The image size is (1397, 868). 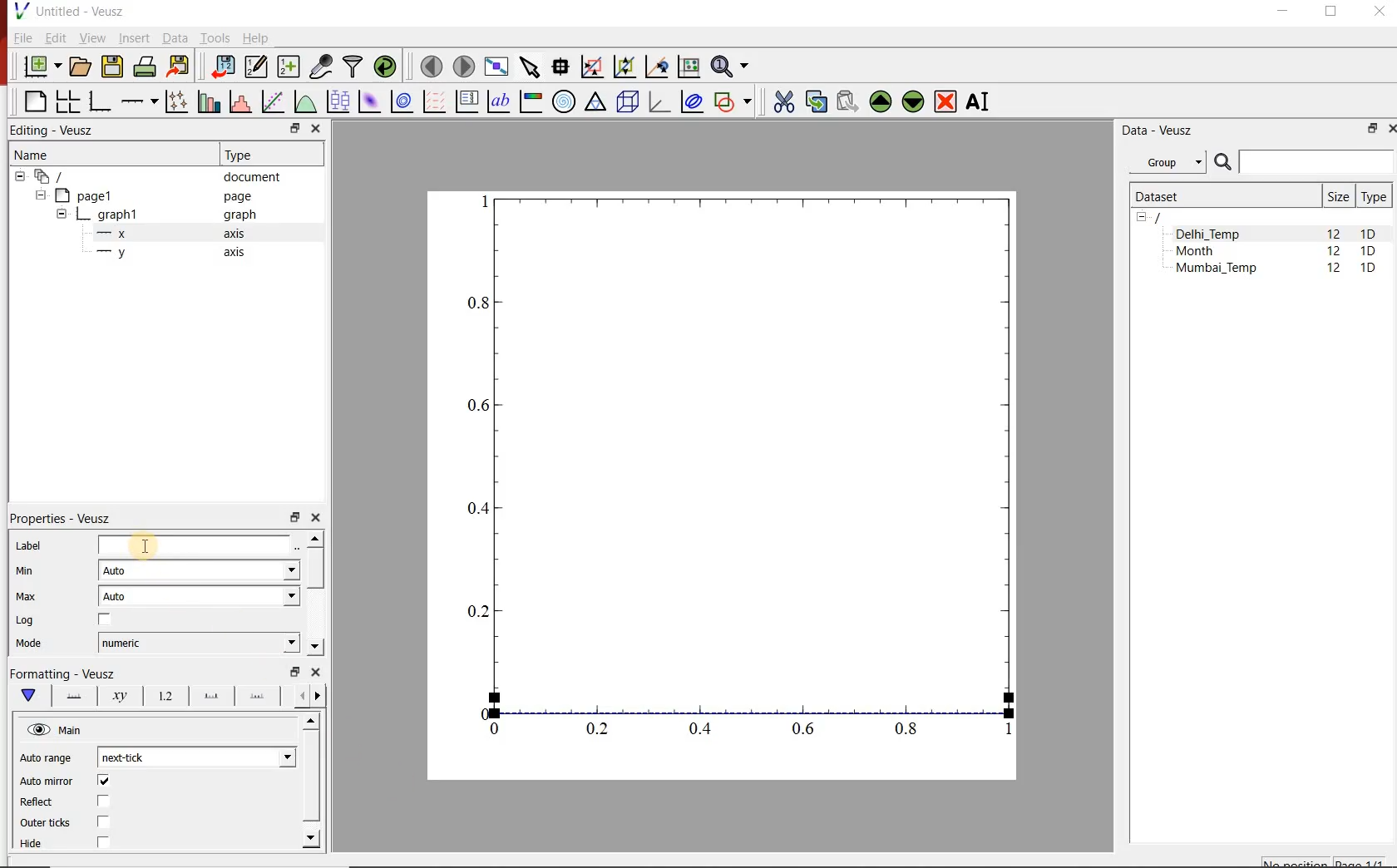 What do you see at coordinates (137, 101) in the screenshot?
I see `Add an axis to the plot` at bounding box center [137, 101].